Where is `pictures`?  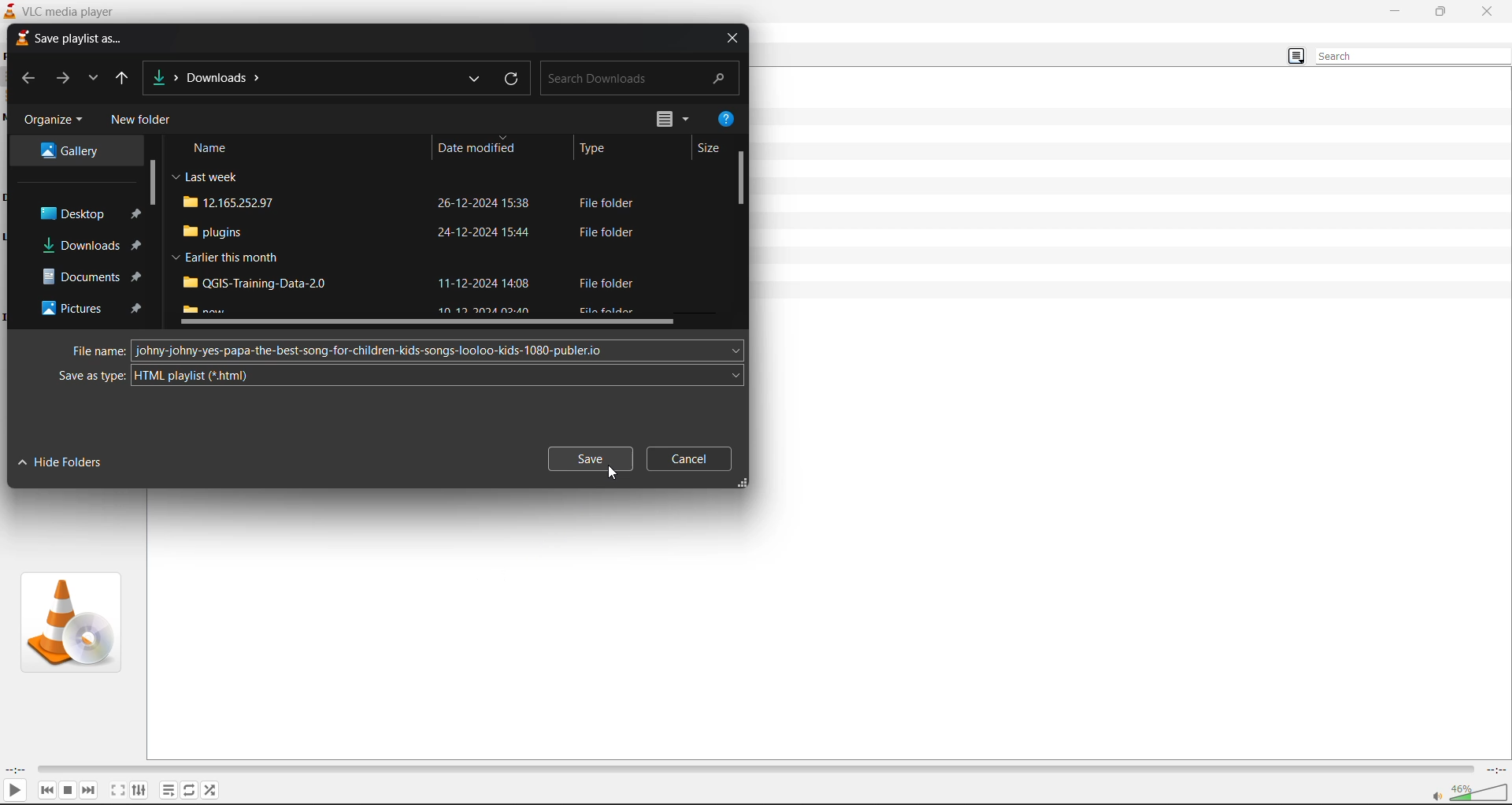 pictures is located at coordinates (92, 312).